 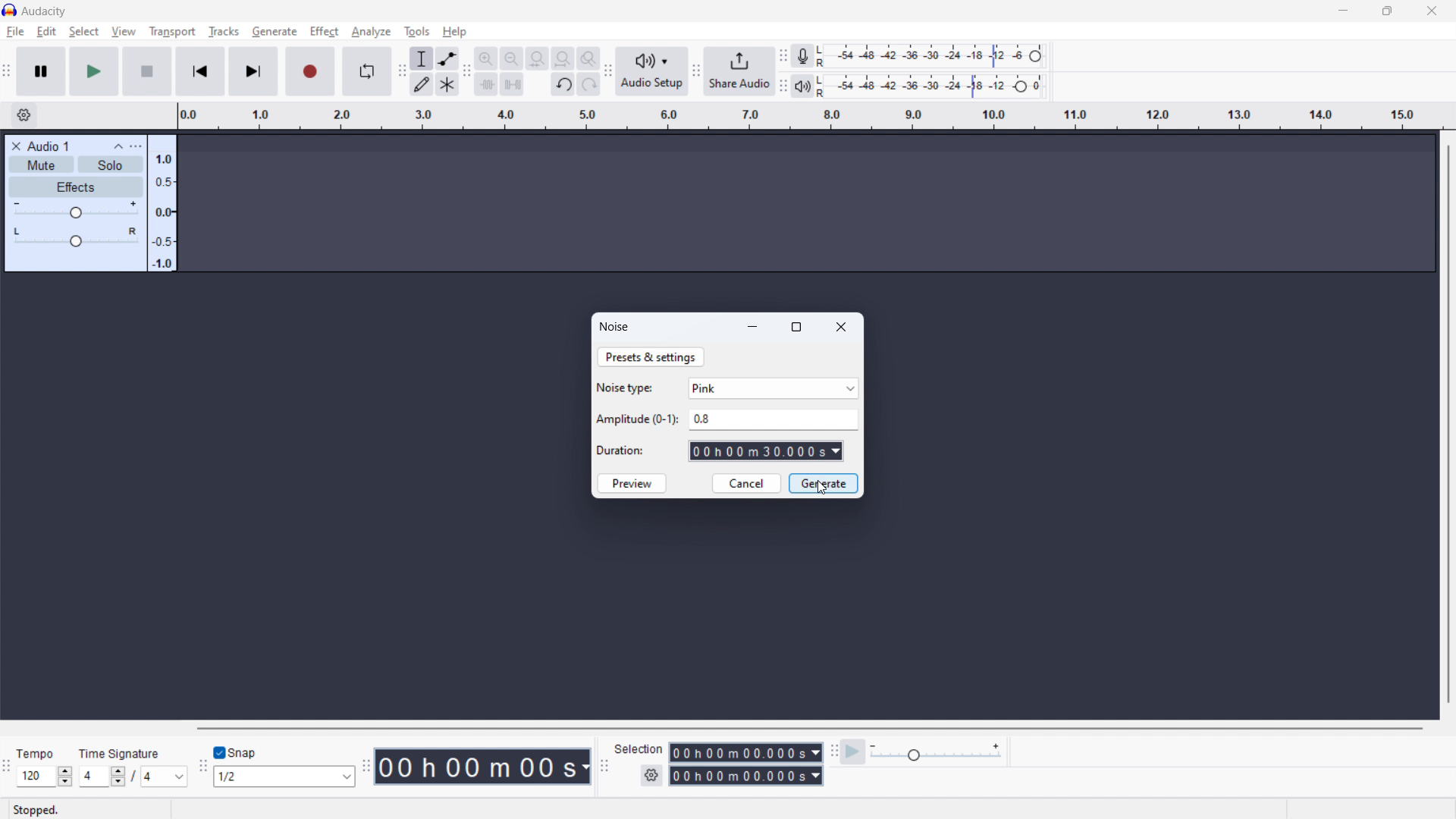 I want to click on cancel, so click(x=746, y=483).